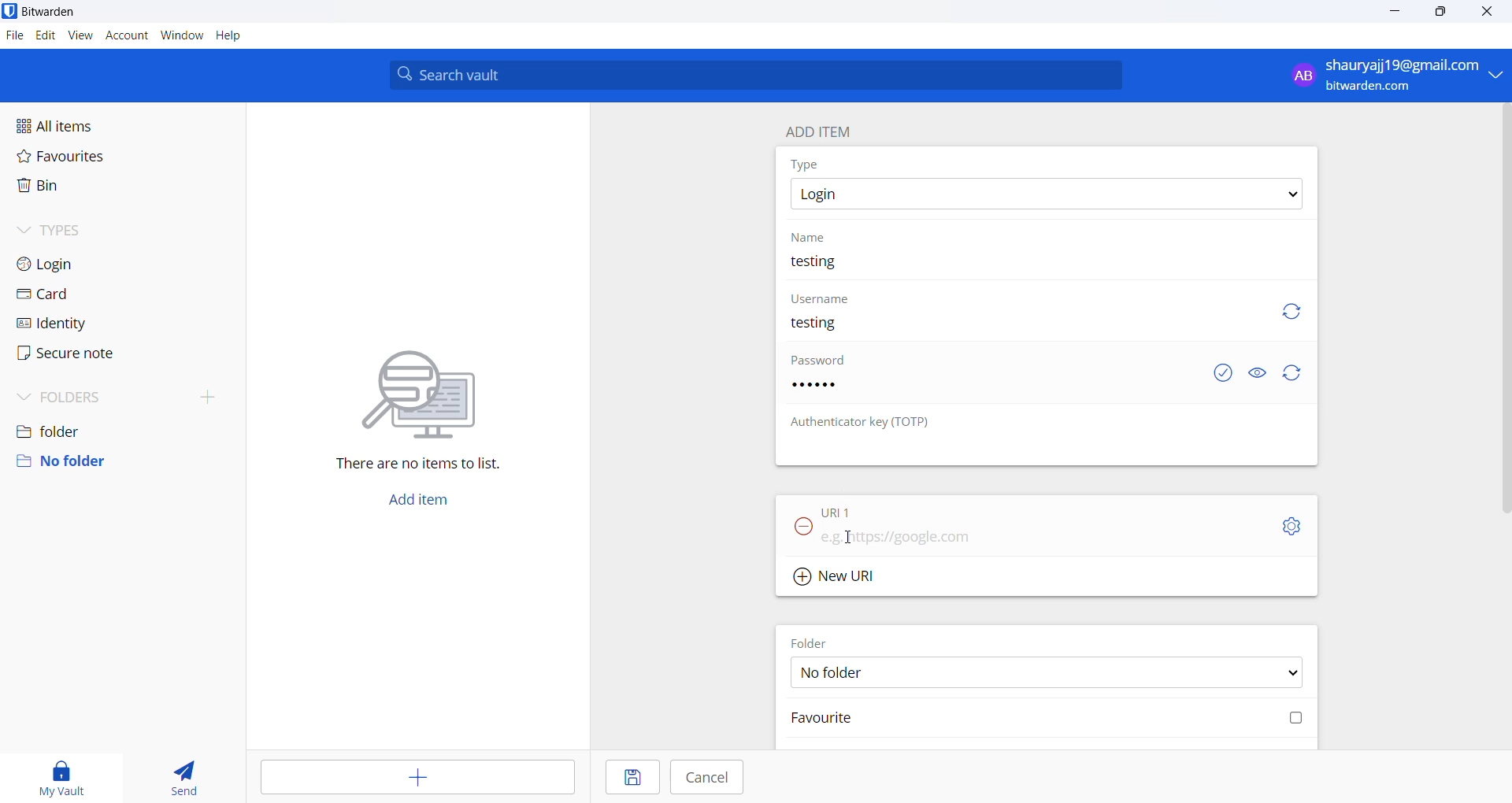 The height and width of the screenshot is (803, 1512). What do you see at coordinates (755, 74) in the screenshot?
I see `search bar` at bounding box center [755, 74].